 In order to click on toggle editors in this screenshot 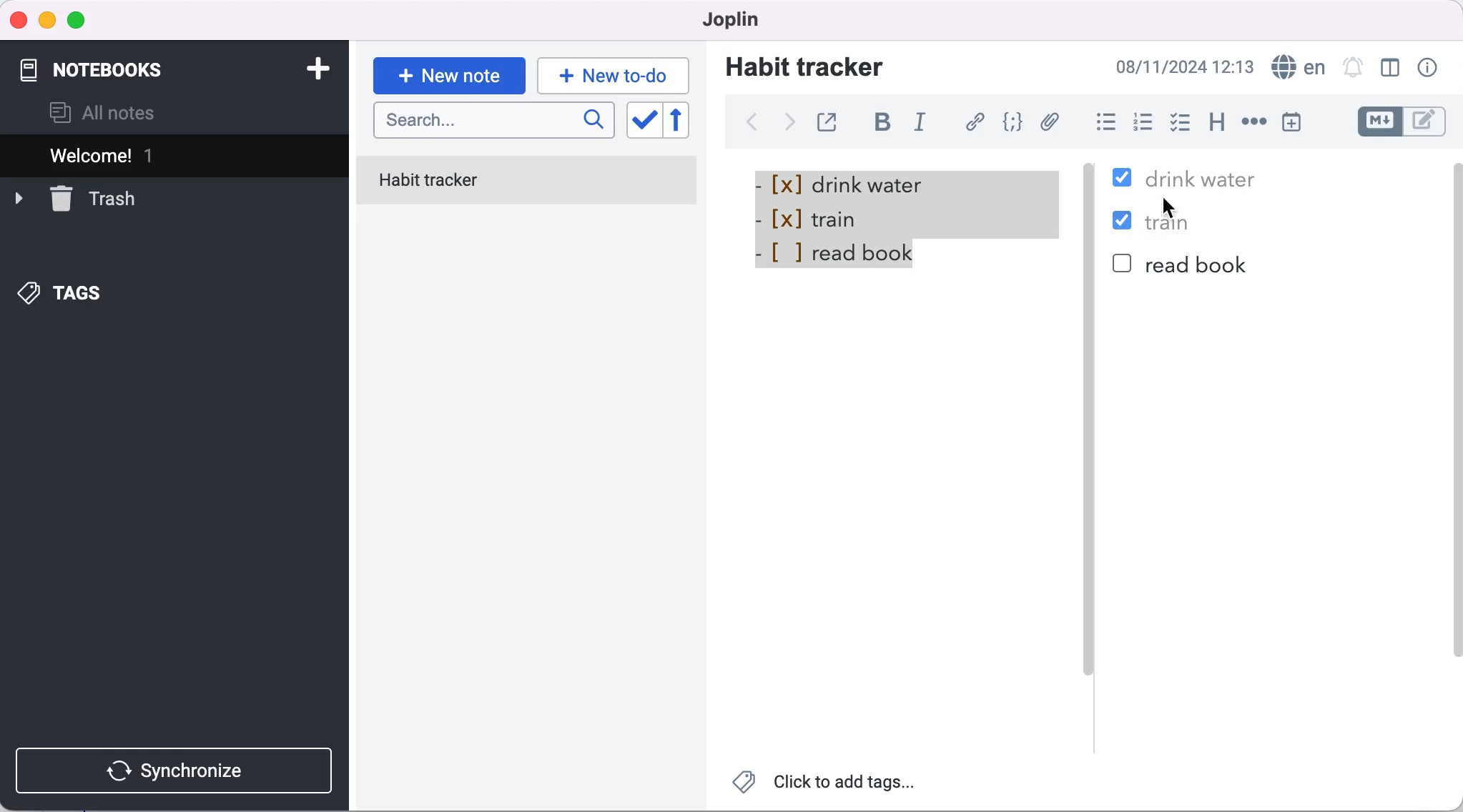, I will do `click(1404, 122)`.